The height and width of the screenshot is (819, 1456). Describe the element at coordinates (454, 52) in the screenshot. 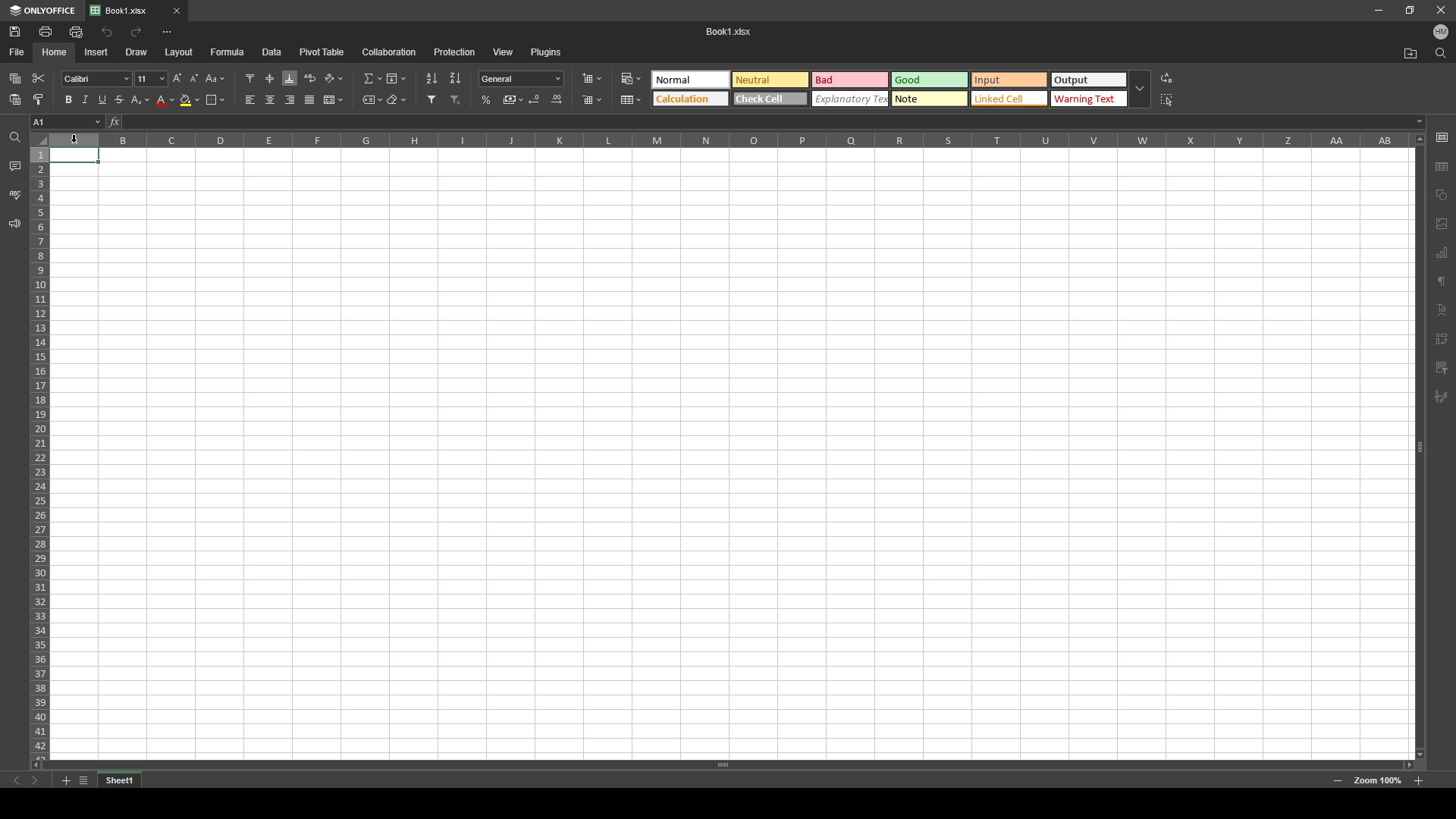

I see `protection` at that location.